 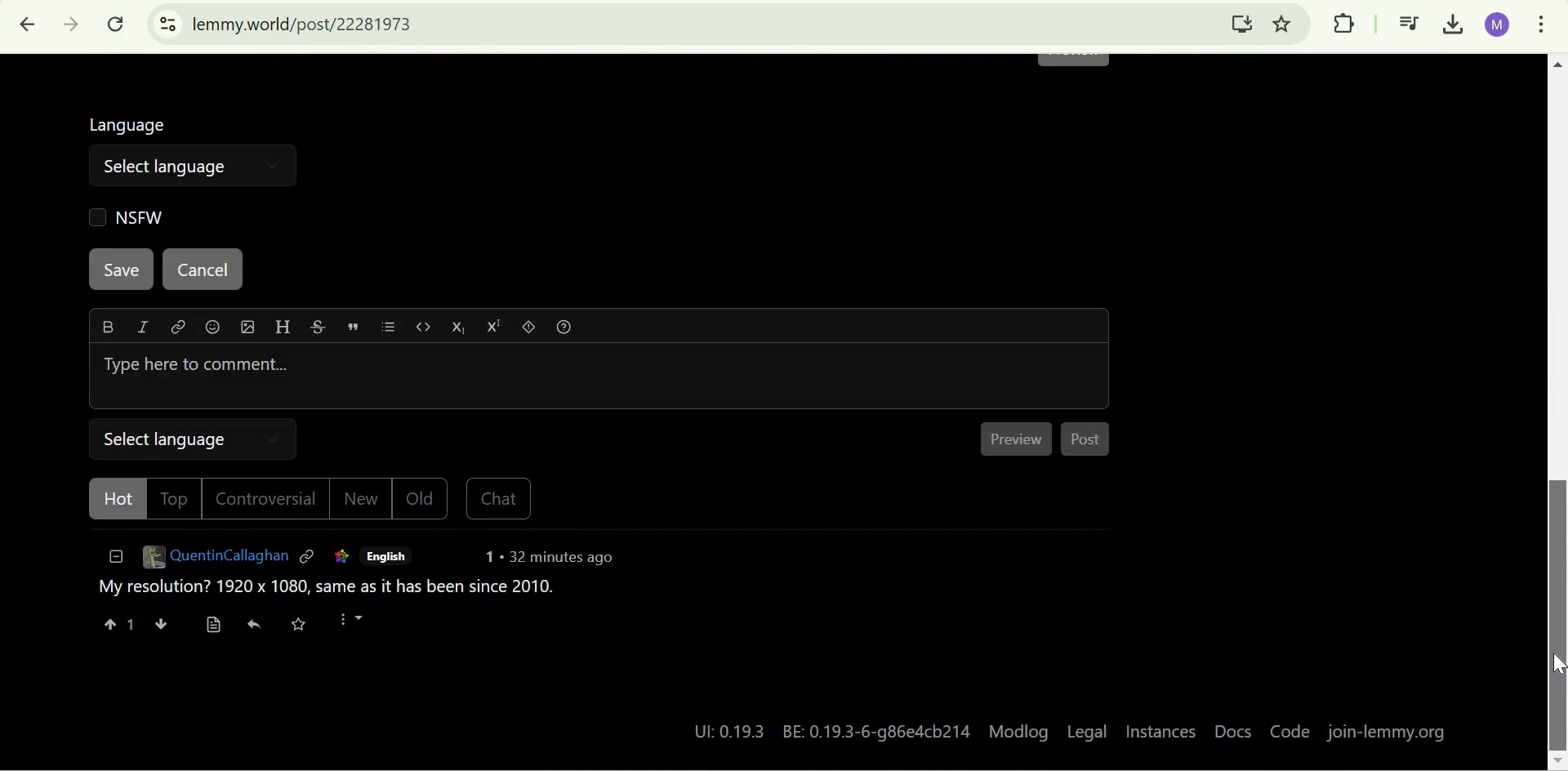 What do you see at coordinates (201, 270) in the screenshot?
I see `Cancel` at bounding box center [201, 270].